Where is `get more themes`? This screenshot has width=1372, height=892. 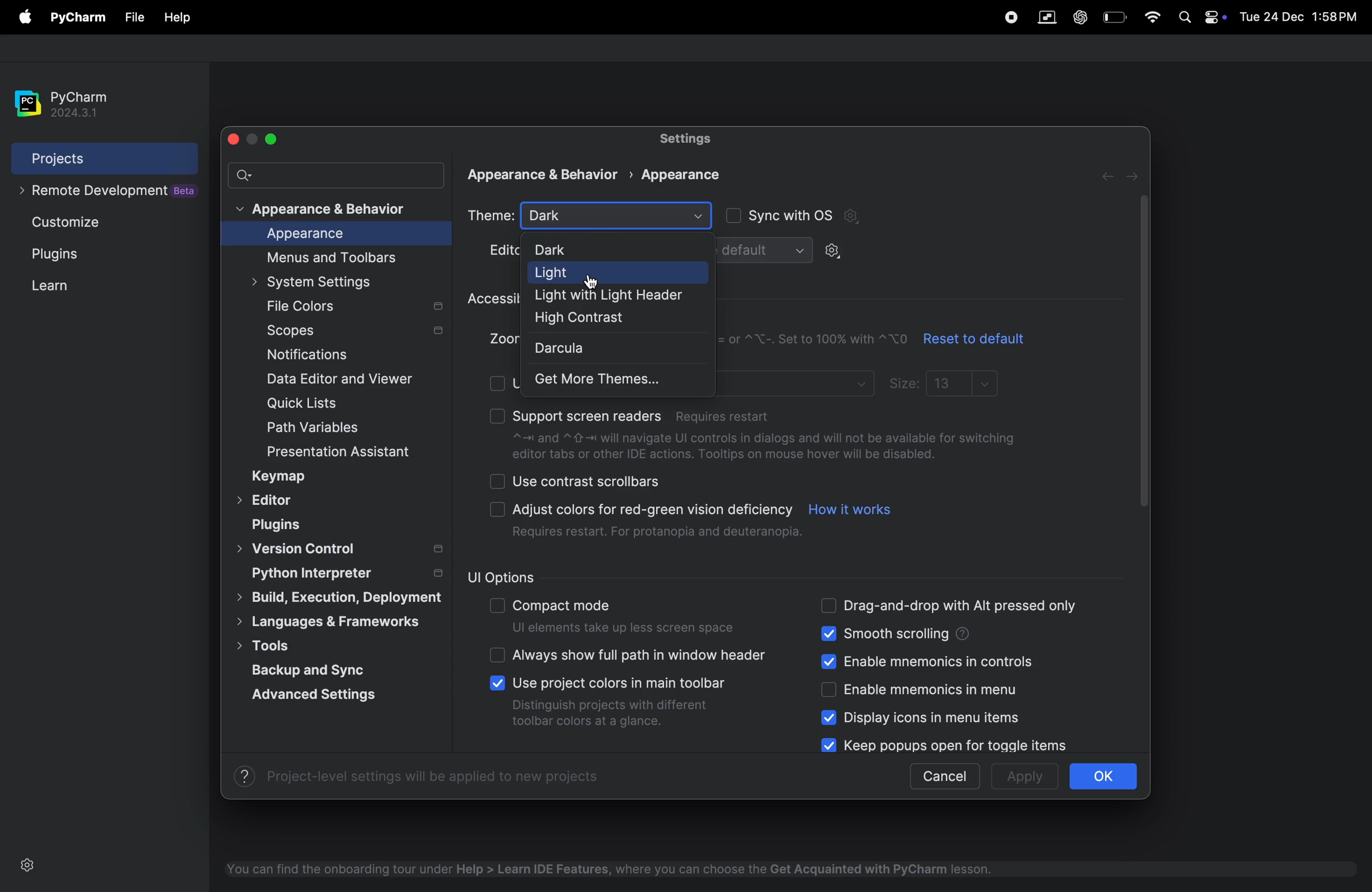 get more themes is located at coordinates (615, 378).